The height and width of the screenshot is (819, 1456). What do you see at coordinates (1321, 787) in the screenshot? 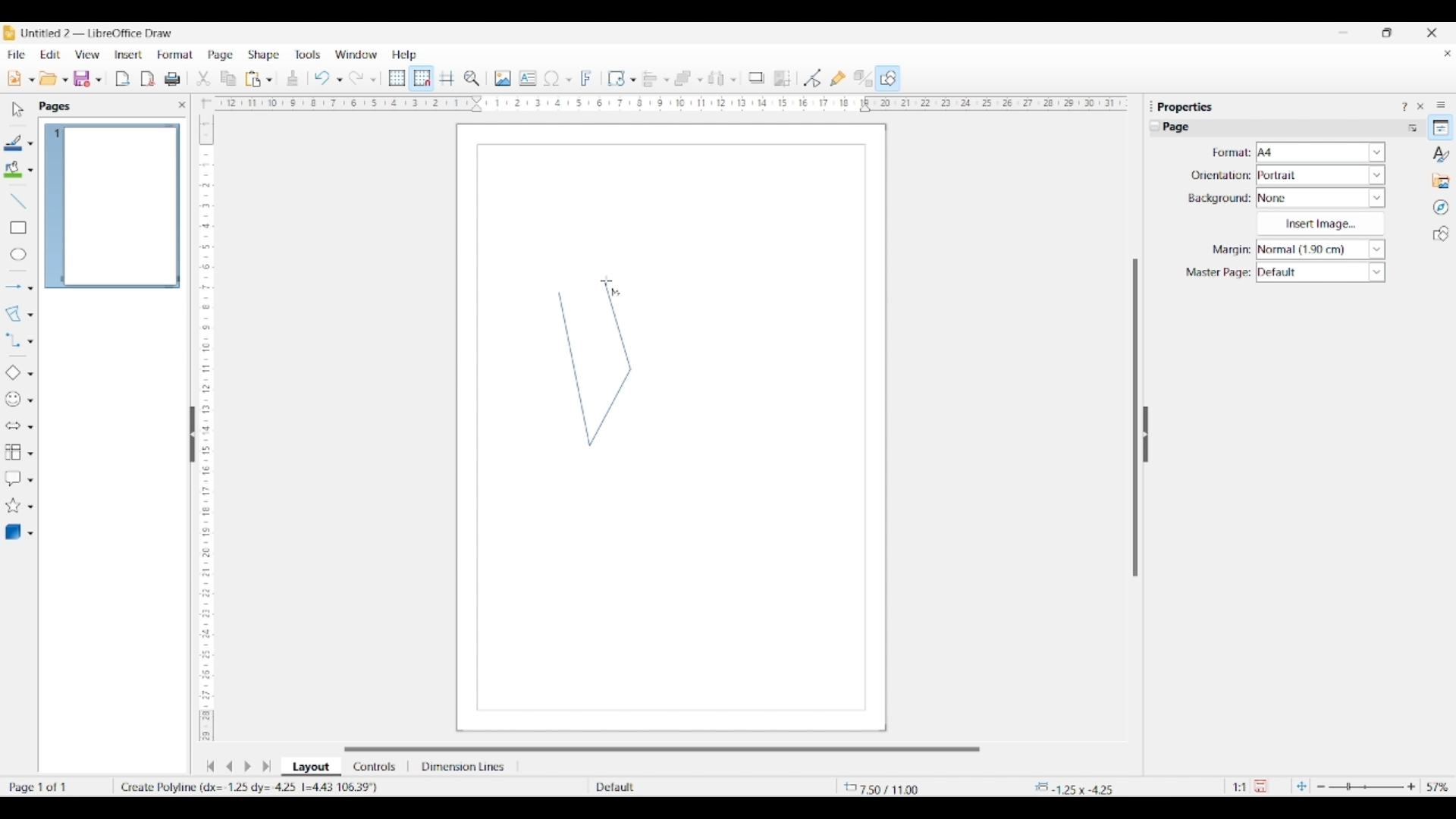
I see `Zoom out` at bounding box center [1321, 787].